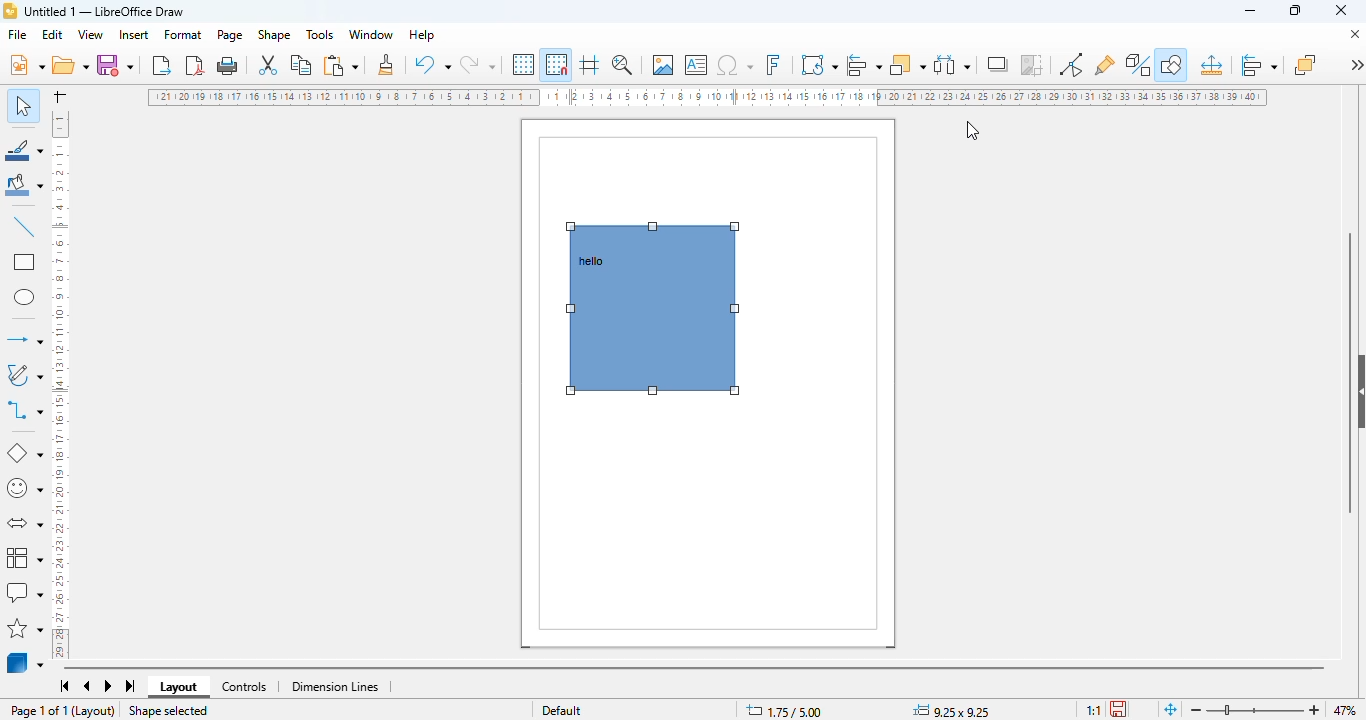 Image resolution: width=1366 pixels, height=720 pixels. What do you see at coordinates (1354, 34) in the screenshot?
I see `close document` at bounding box center [1354, 34].